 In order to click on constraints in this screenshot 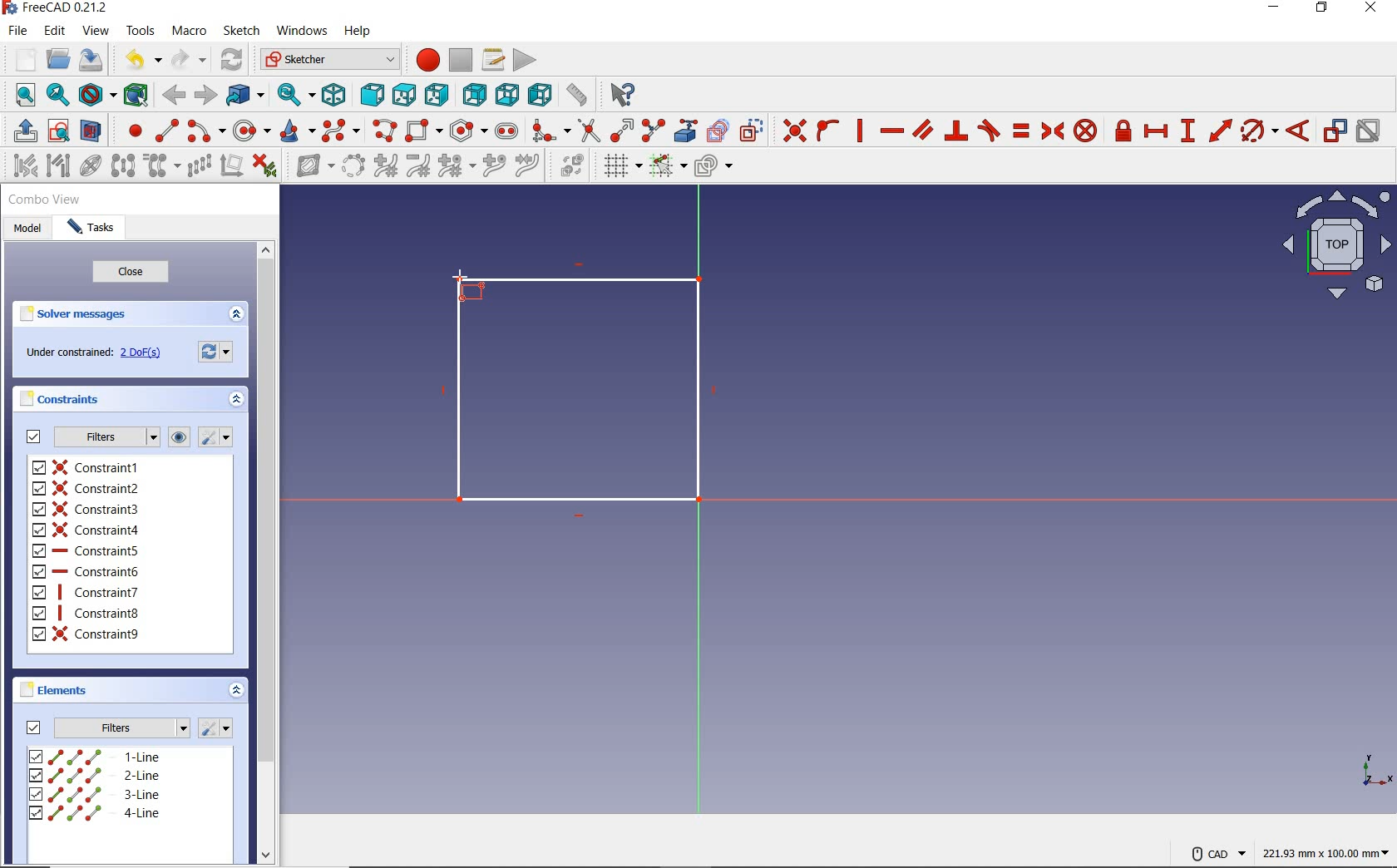, I will do `click(64, 402)`.